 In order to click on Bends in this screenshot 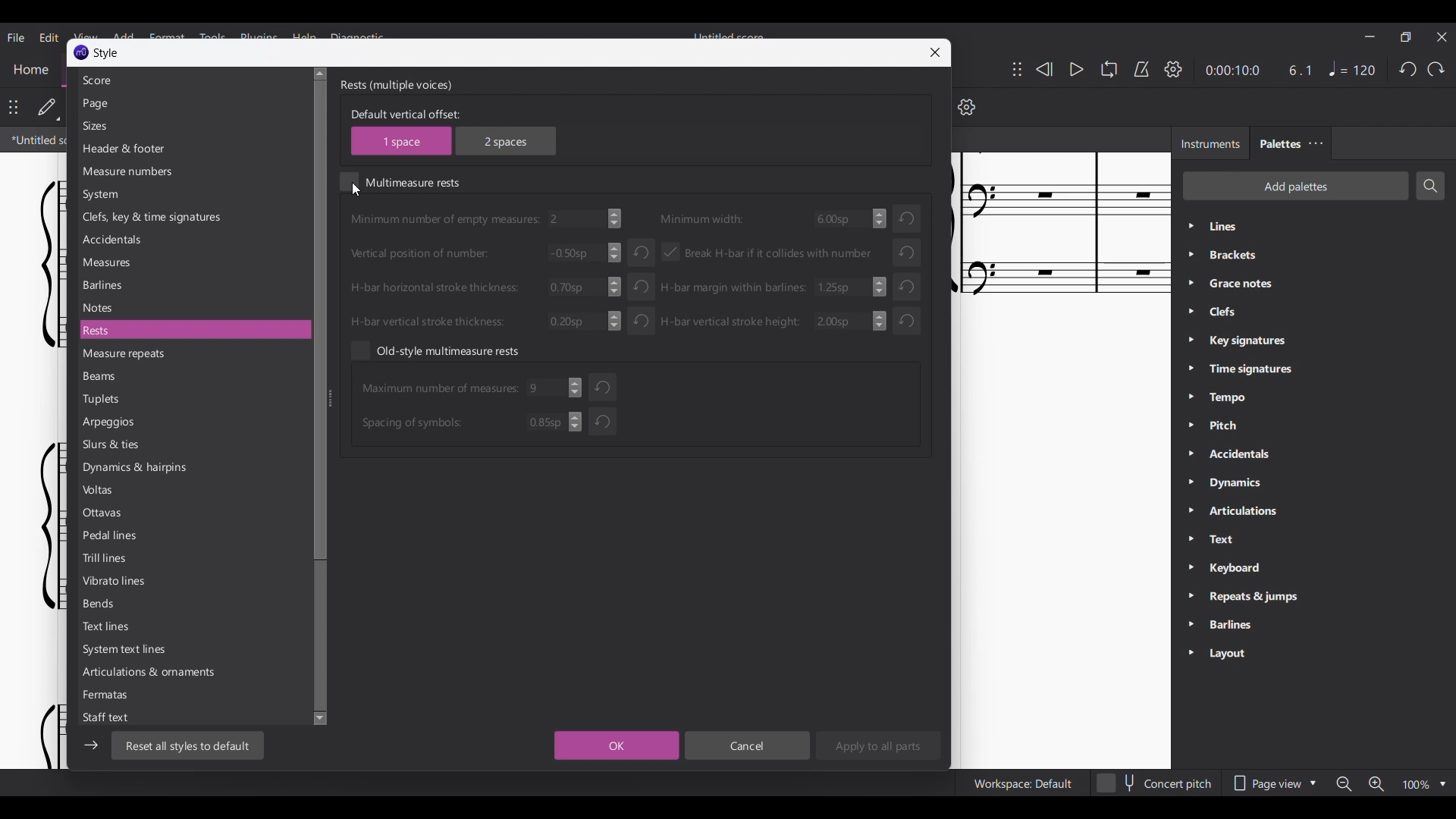, I will do `click(192, 604)`.